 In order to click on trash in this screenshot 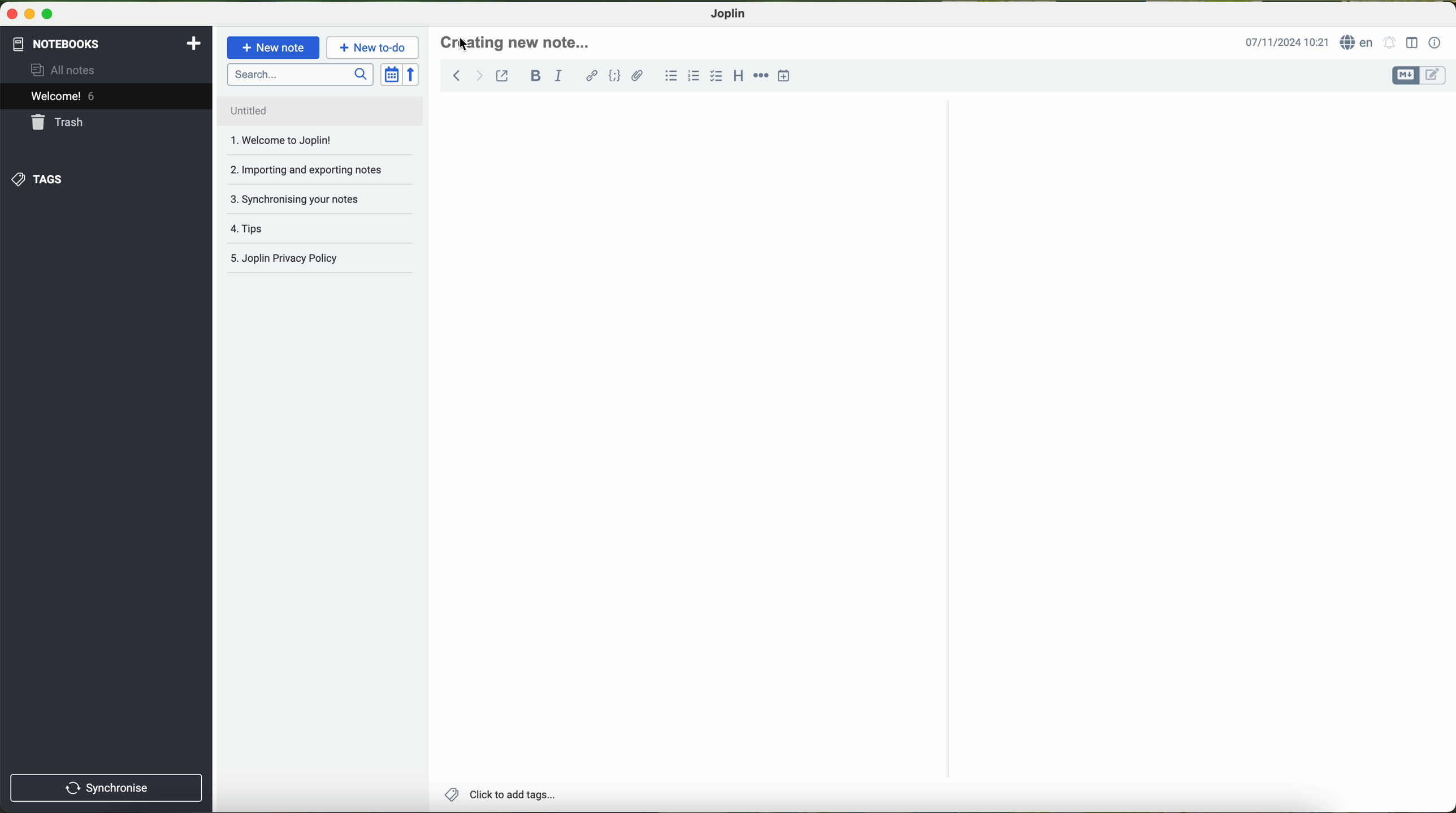, I will do `click(59, 122)`.